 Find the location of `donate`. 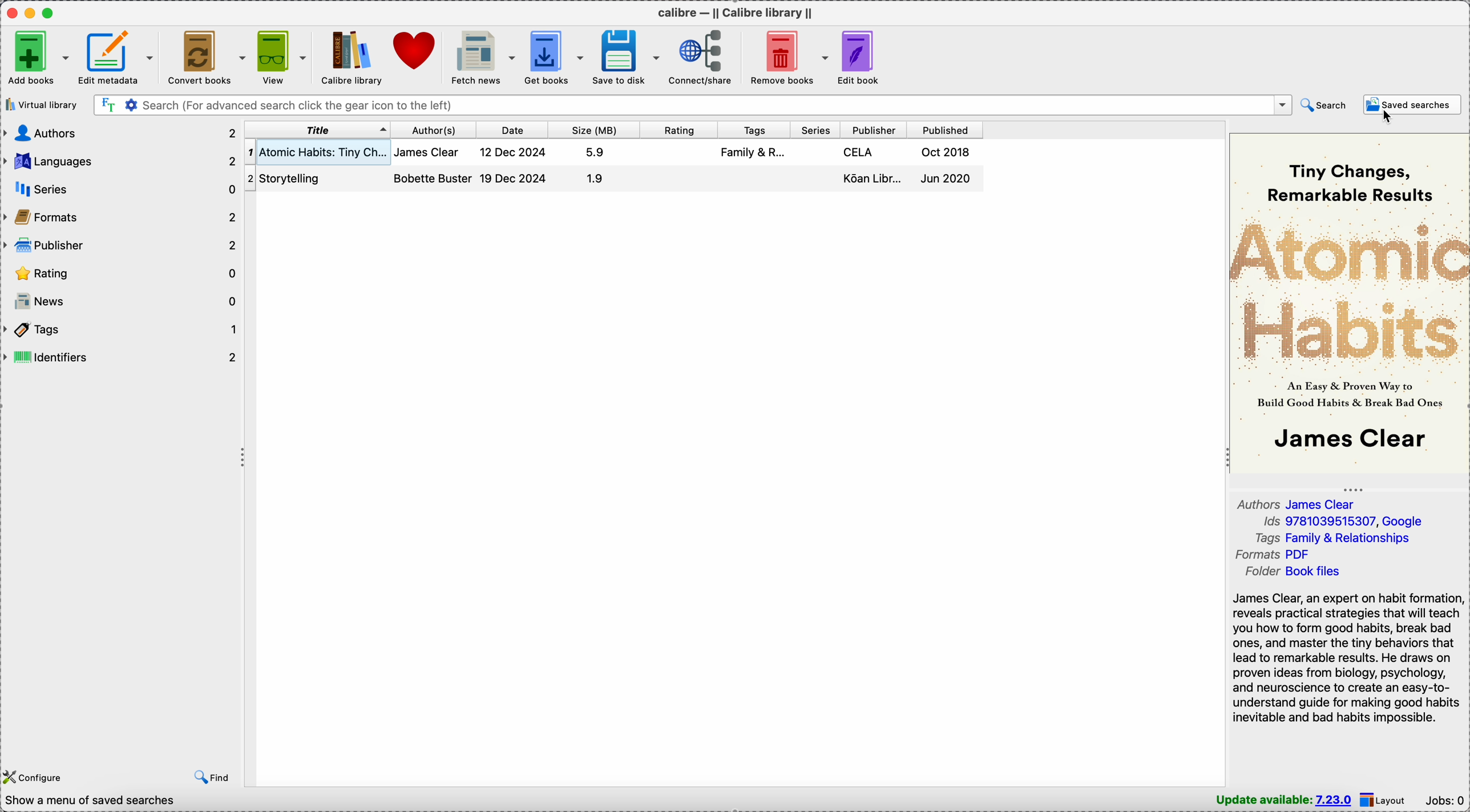

donate is located at coordinates (413, 49).